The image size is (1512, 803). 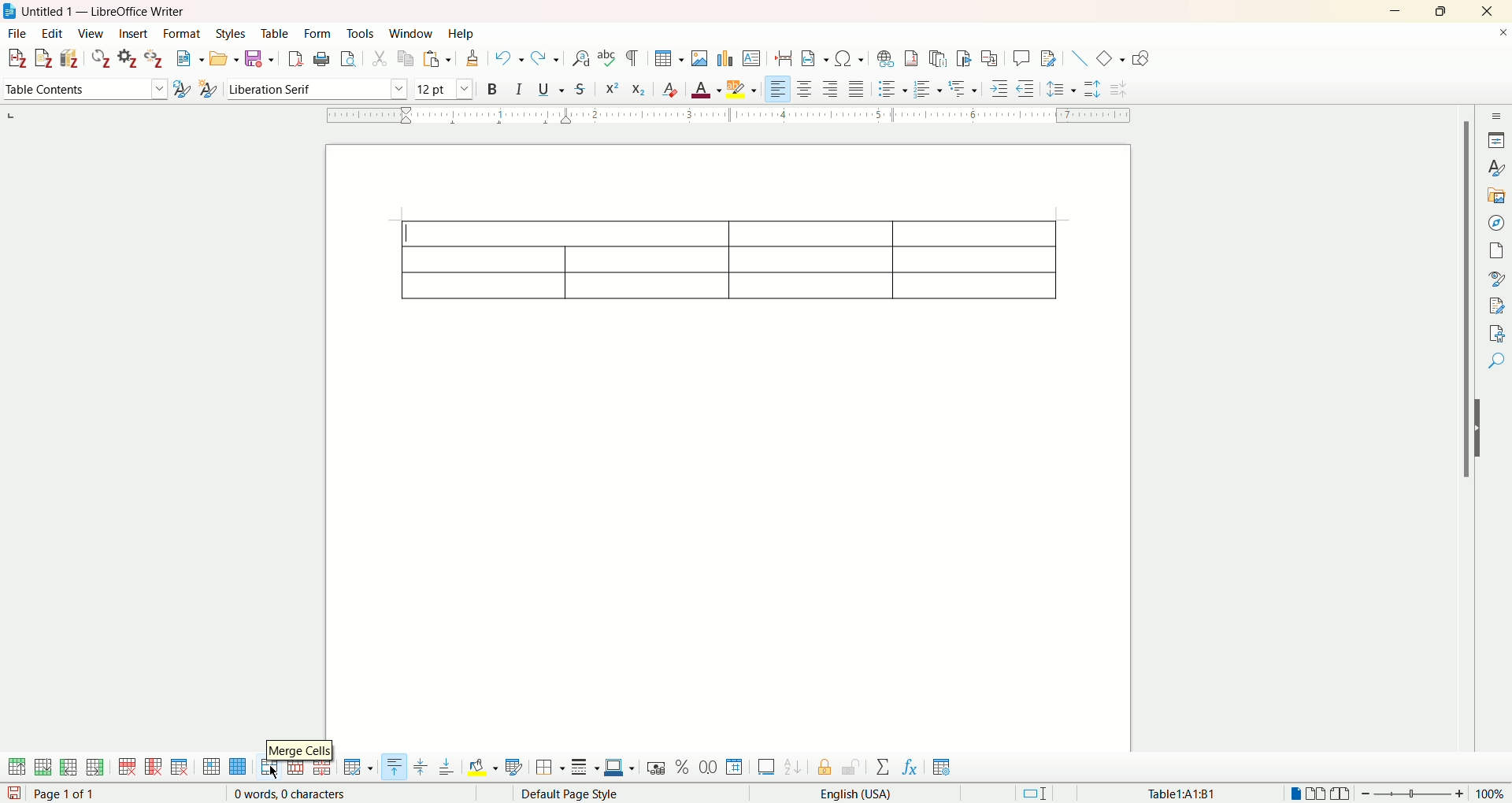 I want to click on align left, so click(x=776, y=88).